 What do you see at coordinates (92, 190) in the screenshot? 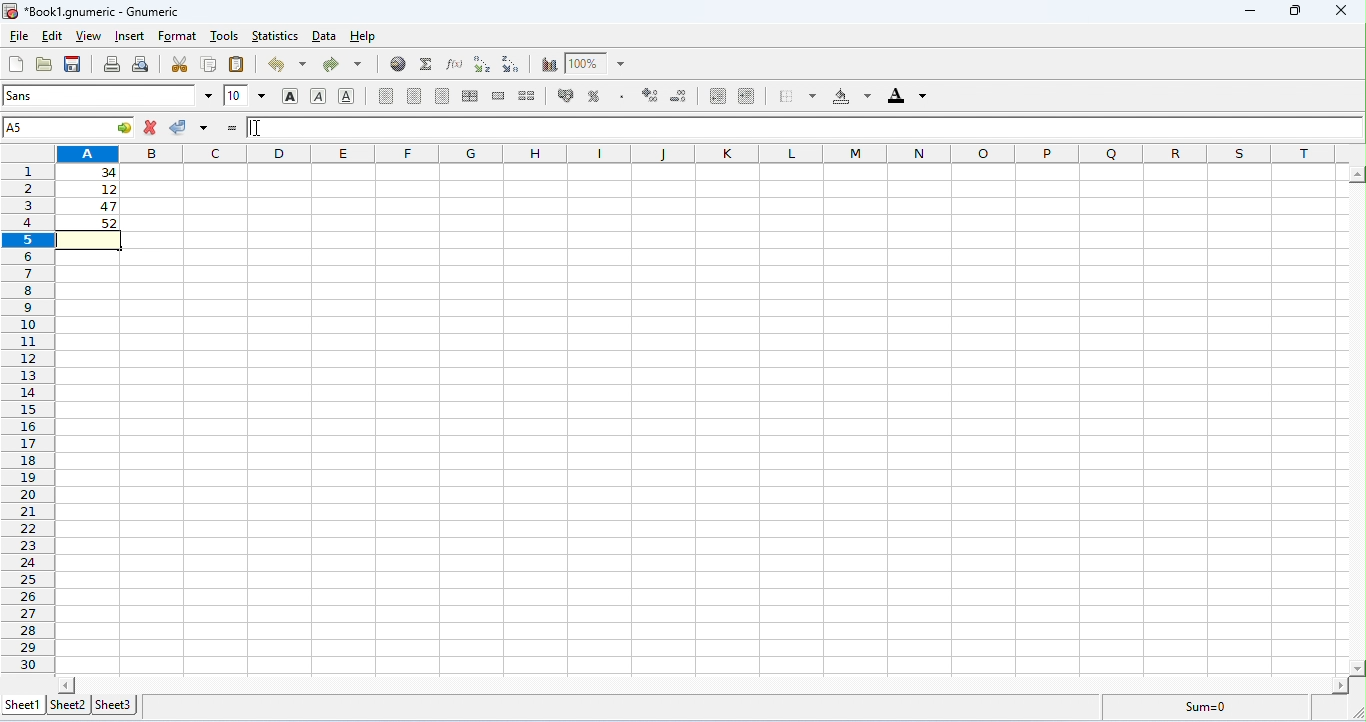
I see `12` at bounding box center [92, 190].